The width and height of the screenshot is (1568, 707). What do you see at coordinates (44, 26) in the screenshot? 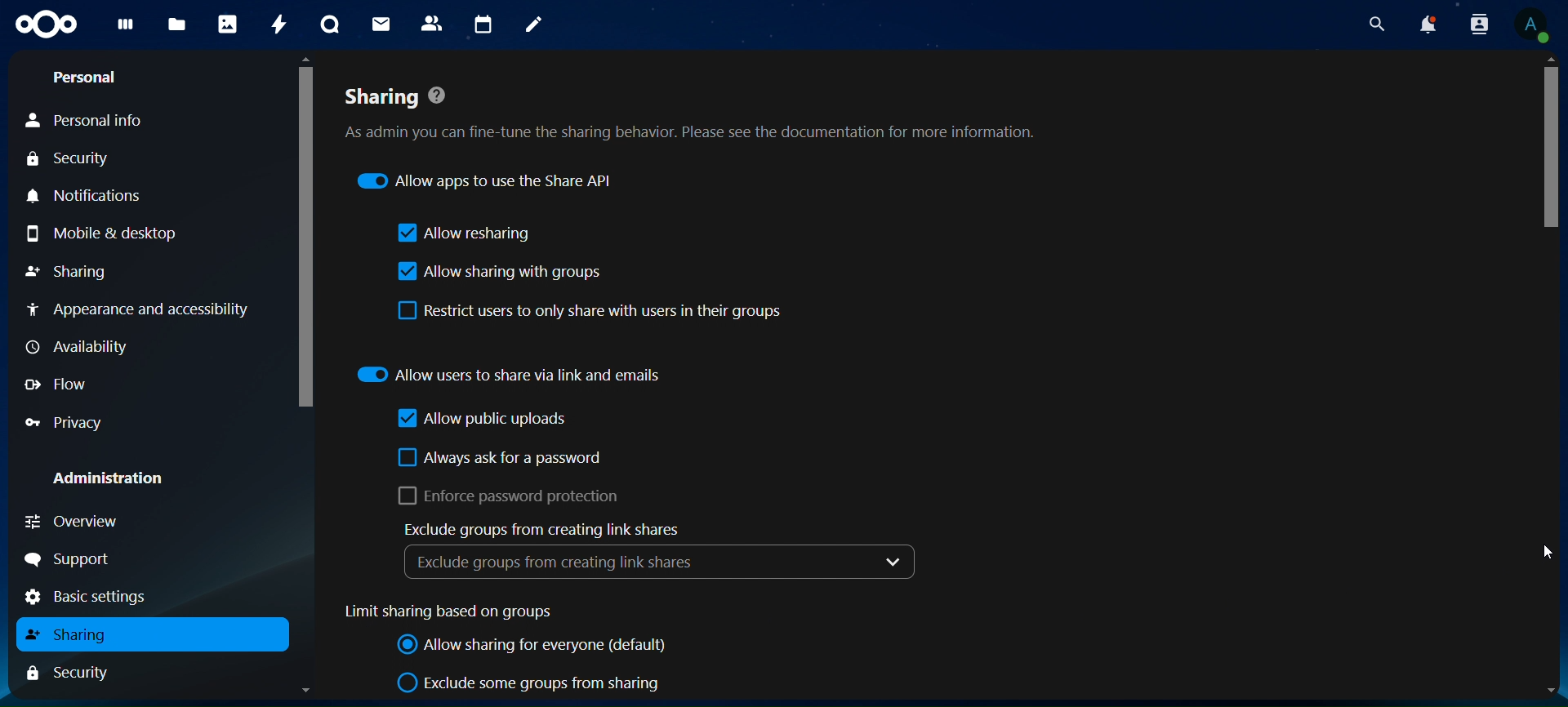
I see `icon` at bounding box center [44, 26].